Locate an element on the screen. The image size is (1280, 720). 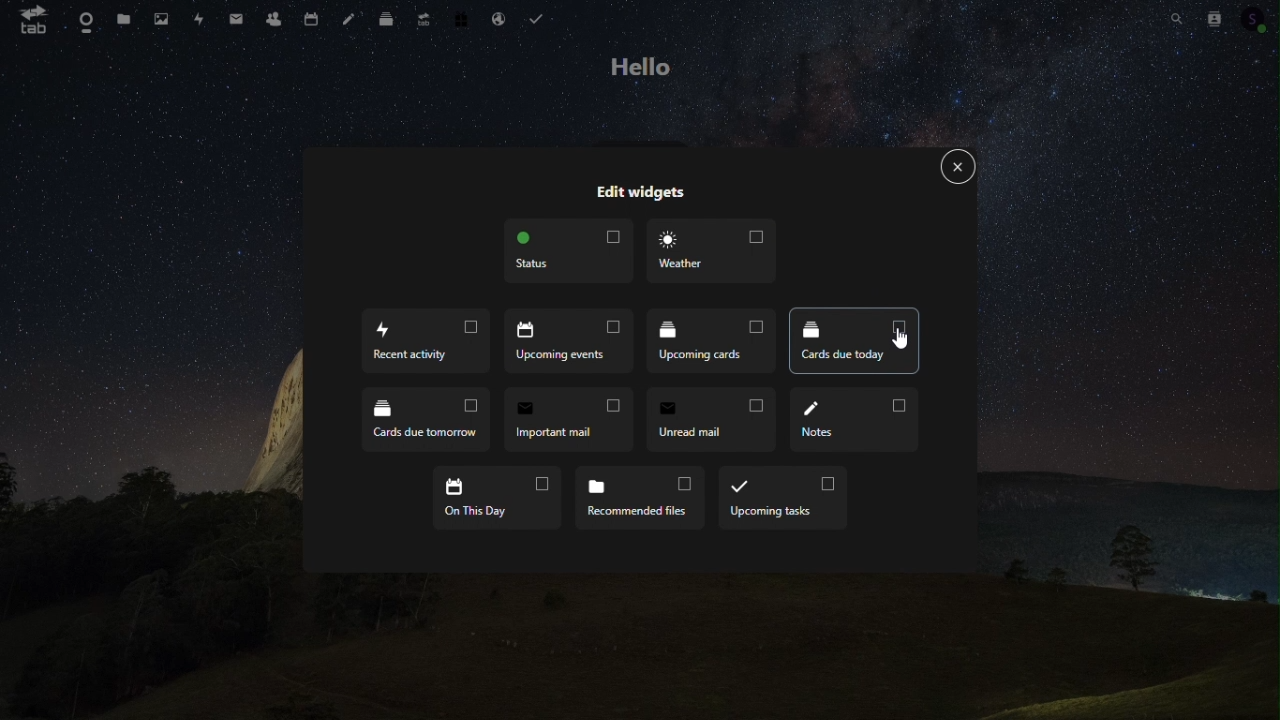
Deck is located at coordinates (389, 17).